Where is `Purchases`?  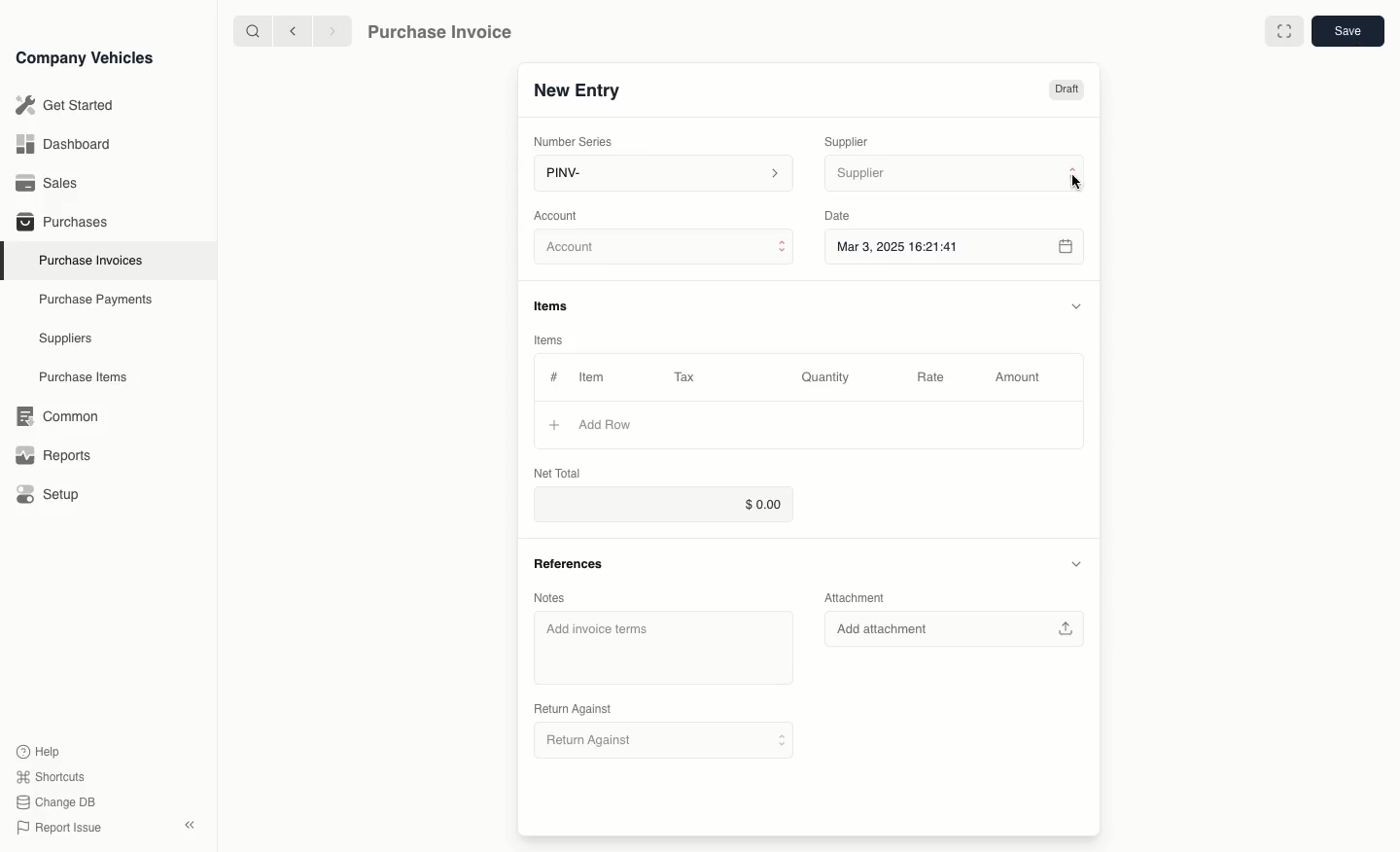
Purchases is located at coordinates (57, 224).